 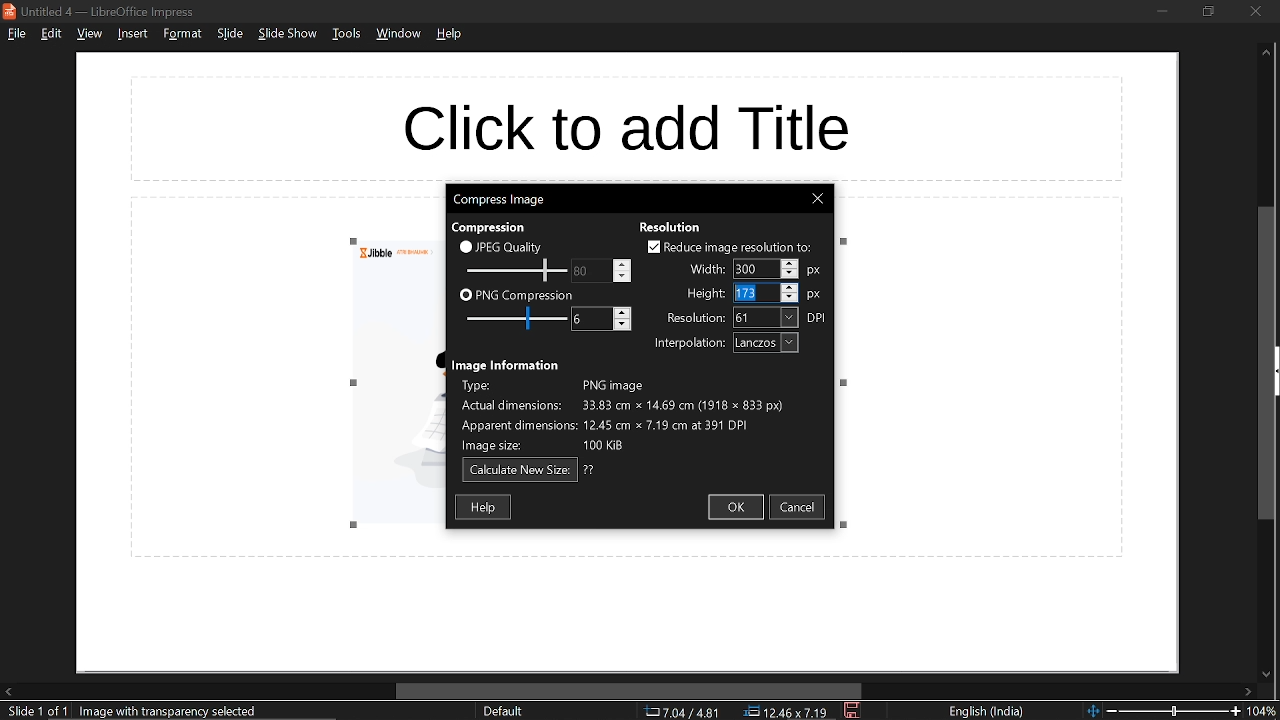 What do you see at coordinates (450, 38) in the screenshot?
I see `help` at bounding box center [450, 38].